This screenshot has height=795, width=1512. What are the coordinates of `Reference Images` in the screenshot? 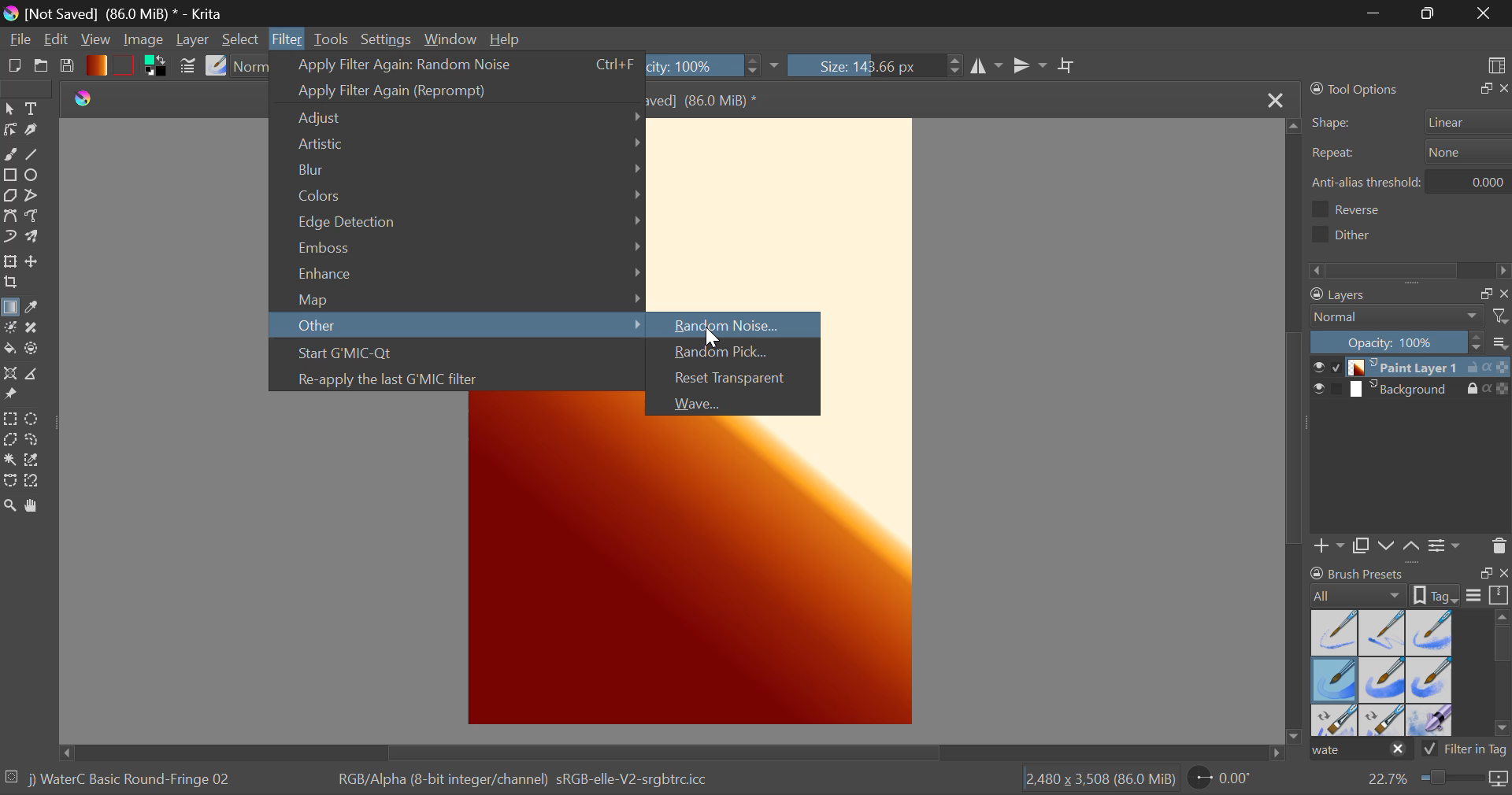 It's located at (13, 397).